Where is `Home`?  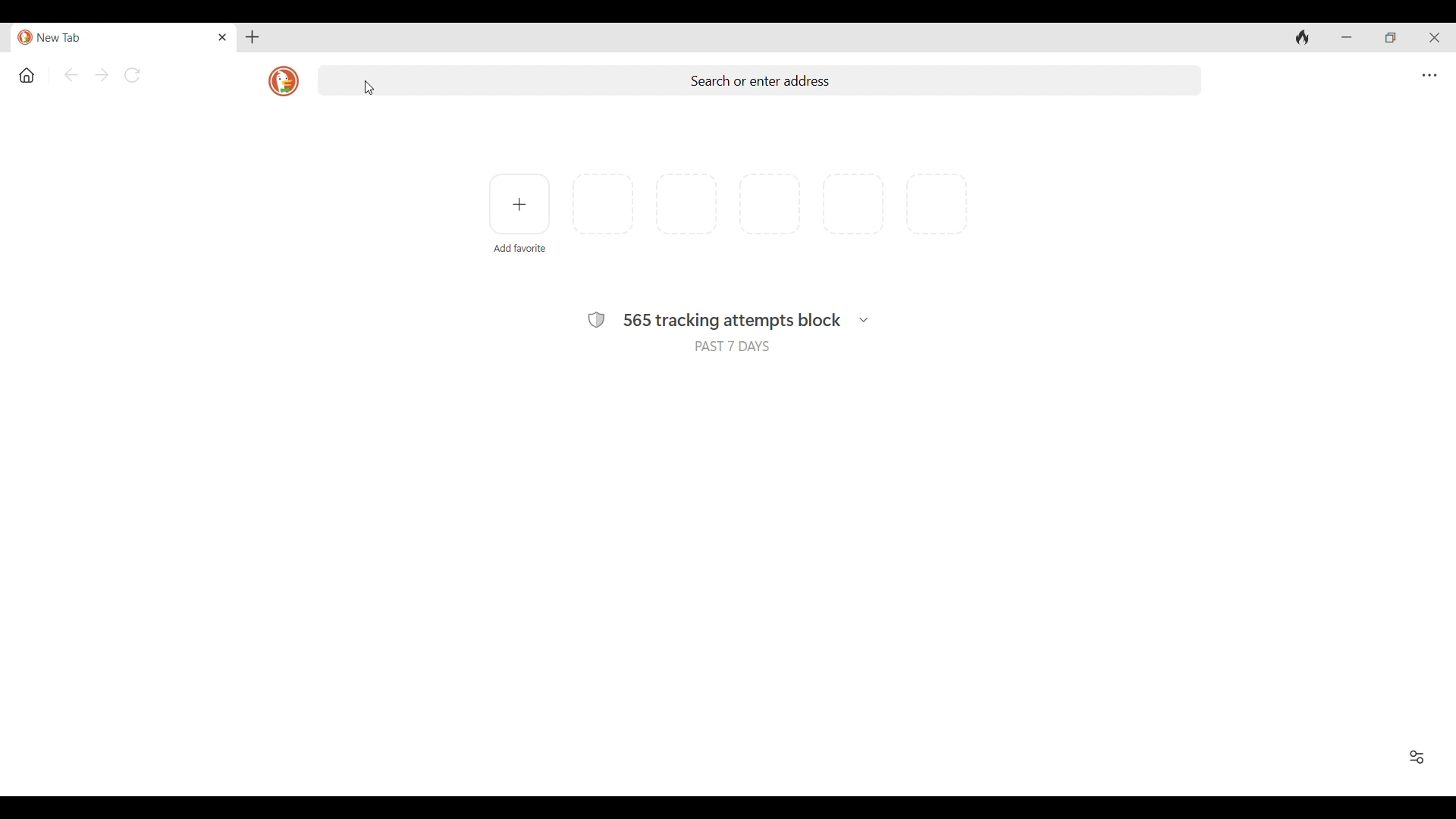
Home is located at coordinates (27, 76).